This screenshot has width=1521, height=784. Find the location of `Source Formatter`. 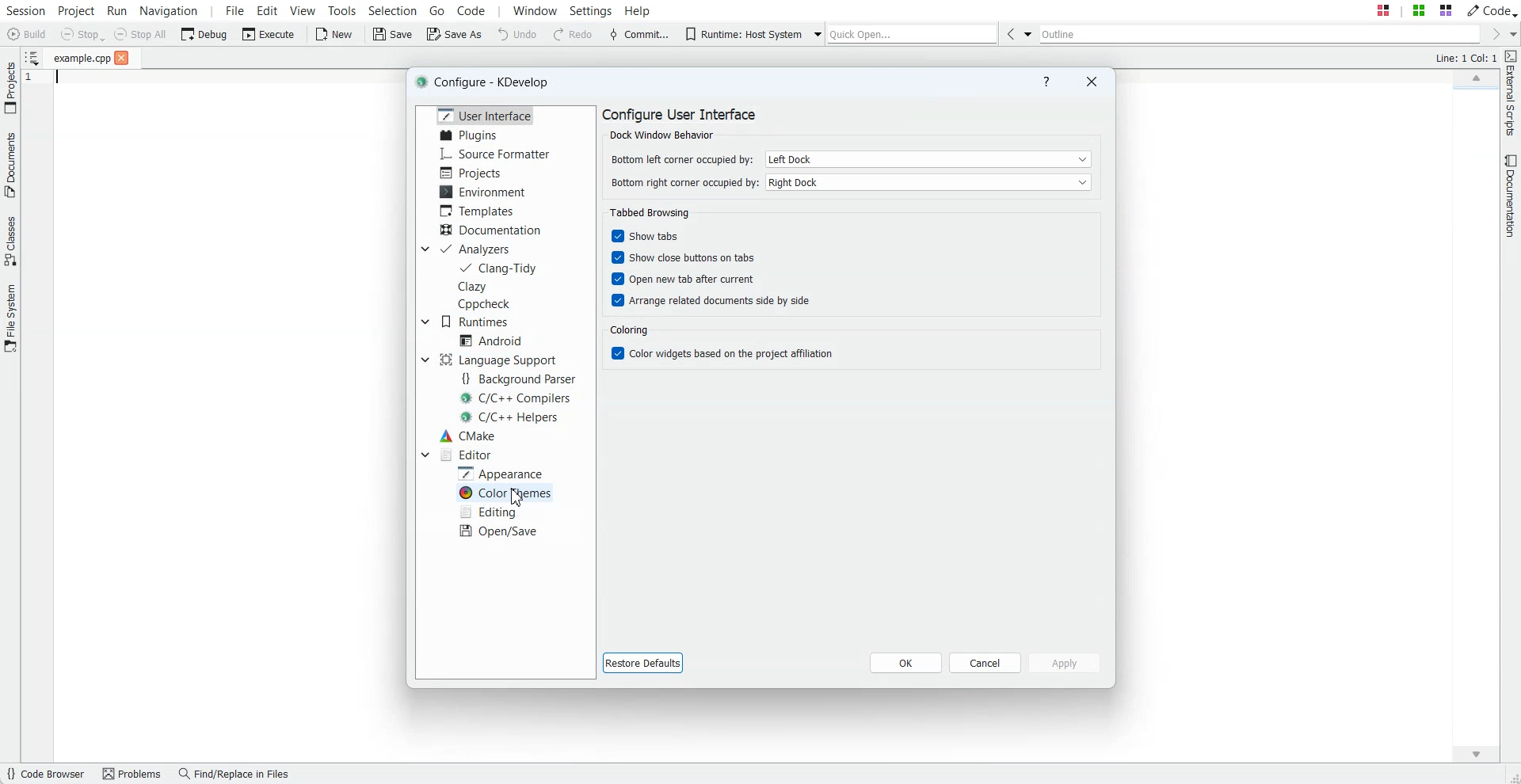

Source Formatter is located at coordinates (496, 154).